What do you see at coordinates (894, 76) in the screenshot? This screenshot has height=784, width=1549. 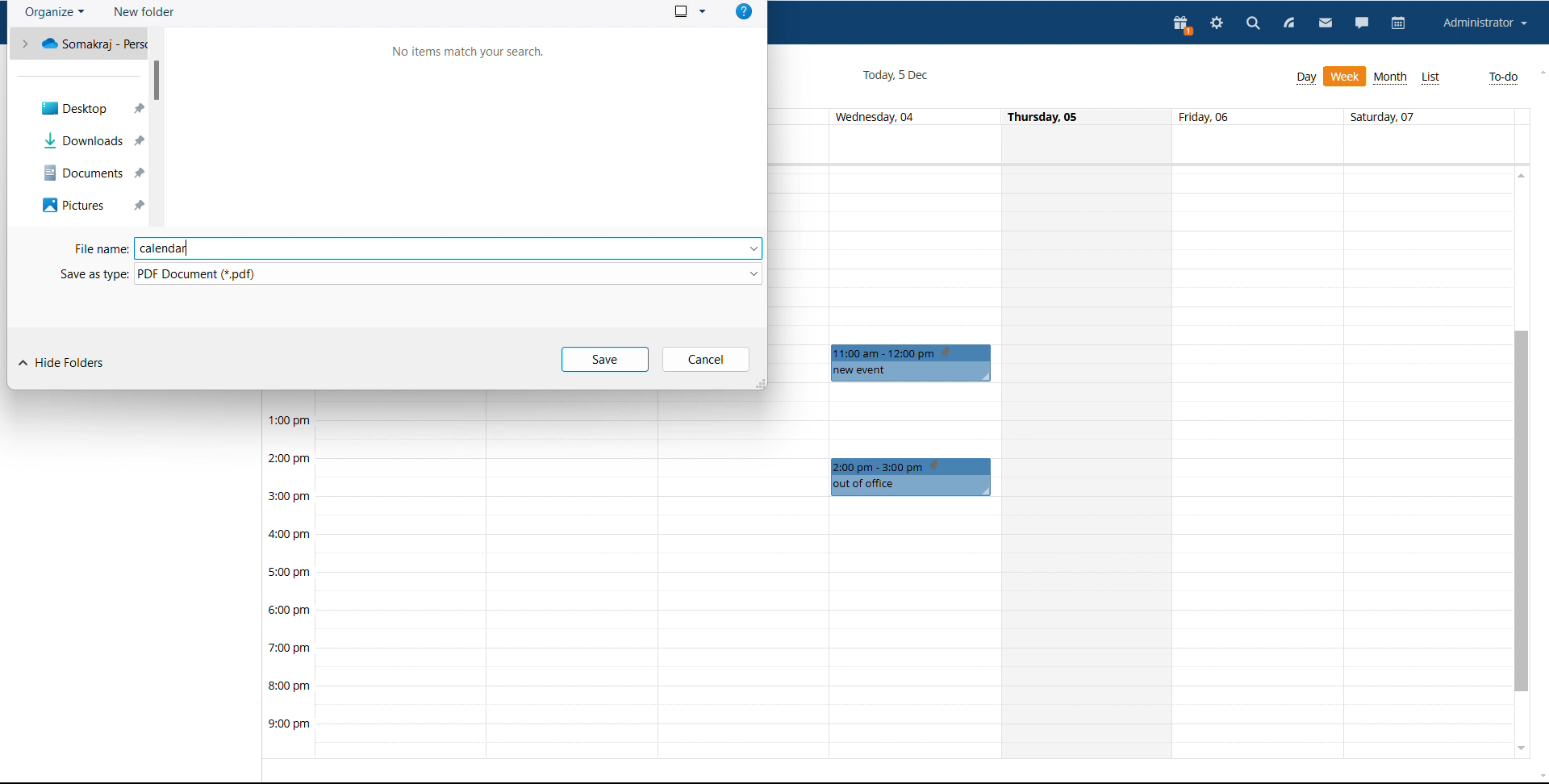 I see `current date` at bounding box center [894, 76].